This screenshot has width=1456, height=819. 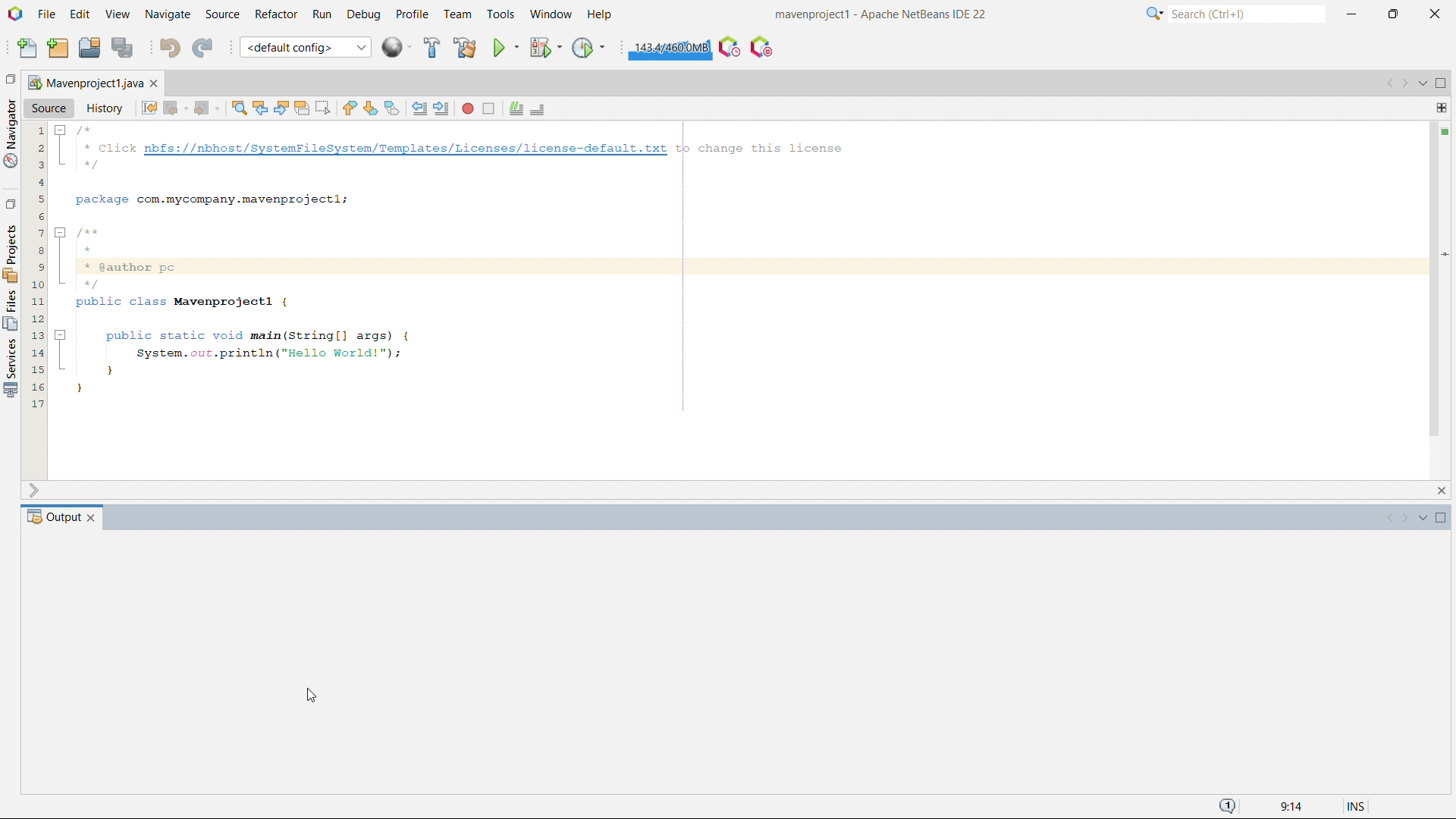 I want to click on drop down, so click(x=1423, y=83).